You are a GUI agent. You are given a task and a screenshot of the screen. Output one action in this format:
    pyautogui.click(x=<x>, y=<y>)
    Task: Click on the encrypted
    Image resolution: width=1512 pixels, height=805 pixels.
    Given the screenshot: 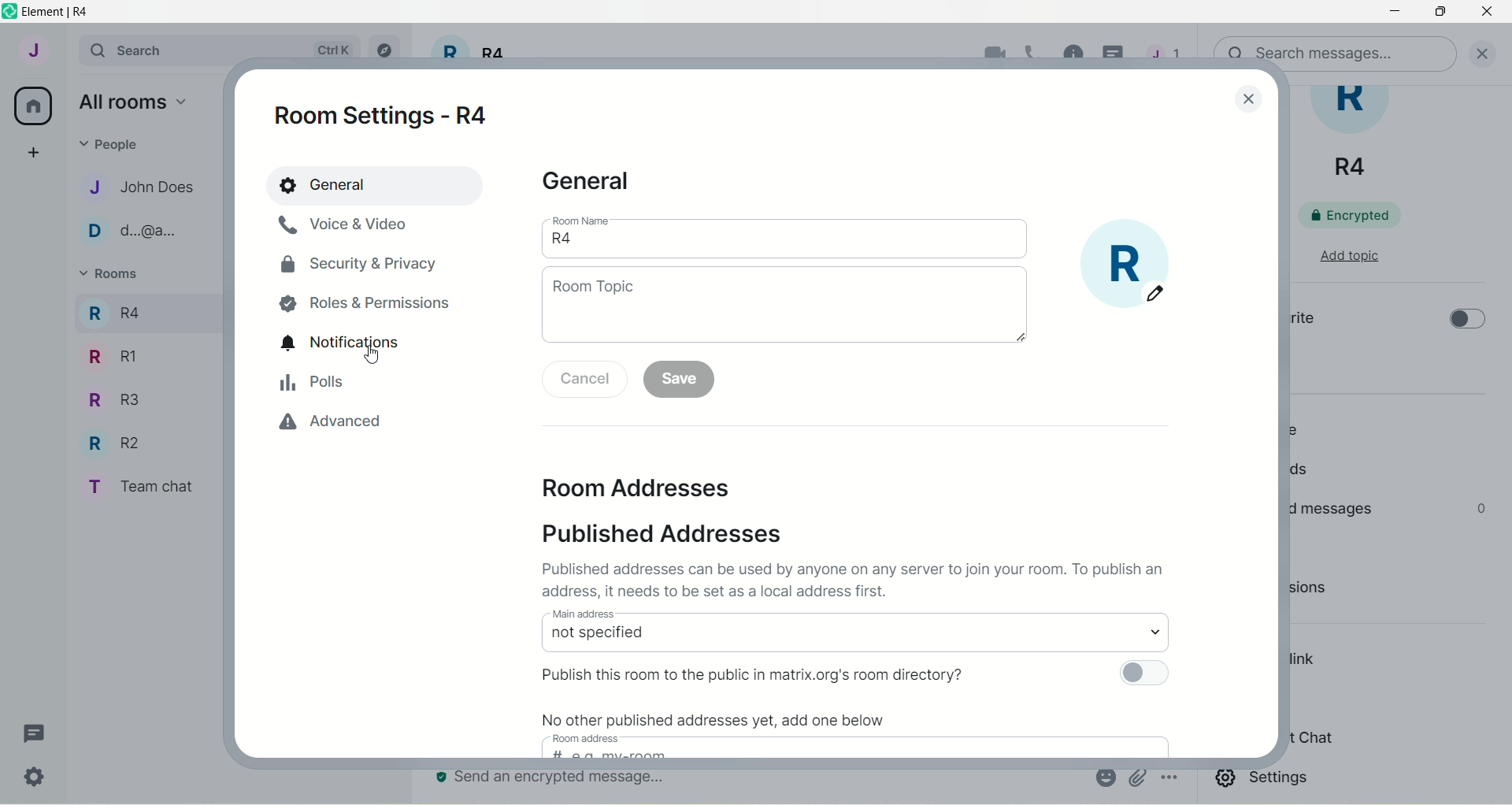 What is the action you would take?
    pyautogui.click(x=1360, y=214)
    